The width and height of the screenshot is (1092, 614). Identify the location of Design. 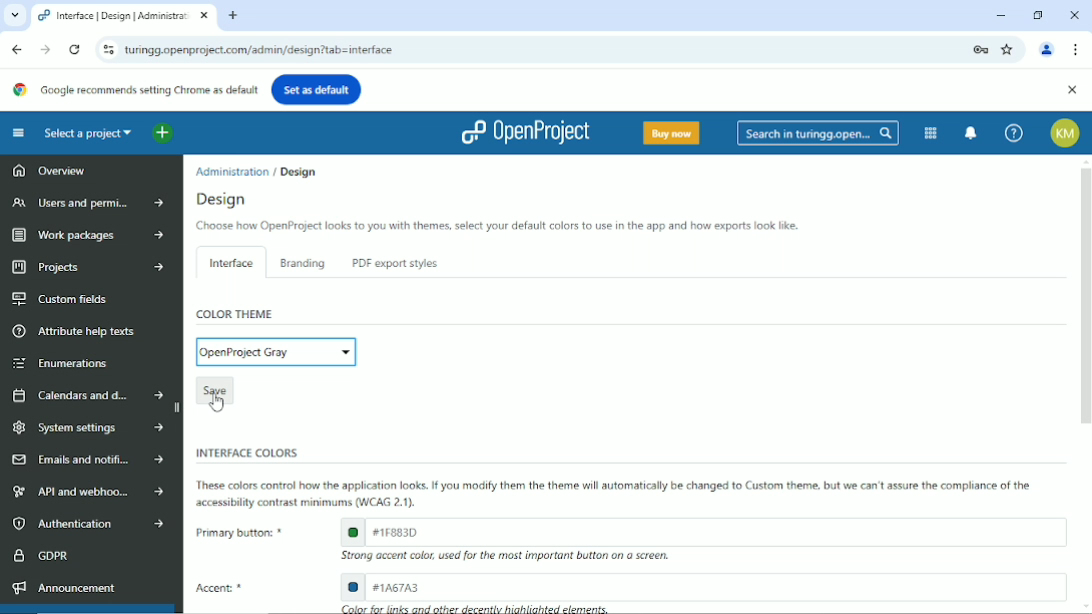
(226, 199).